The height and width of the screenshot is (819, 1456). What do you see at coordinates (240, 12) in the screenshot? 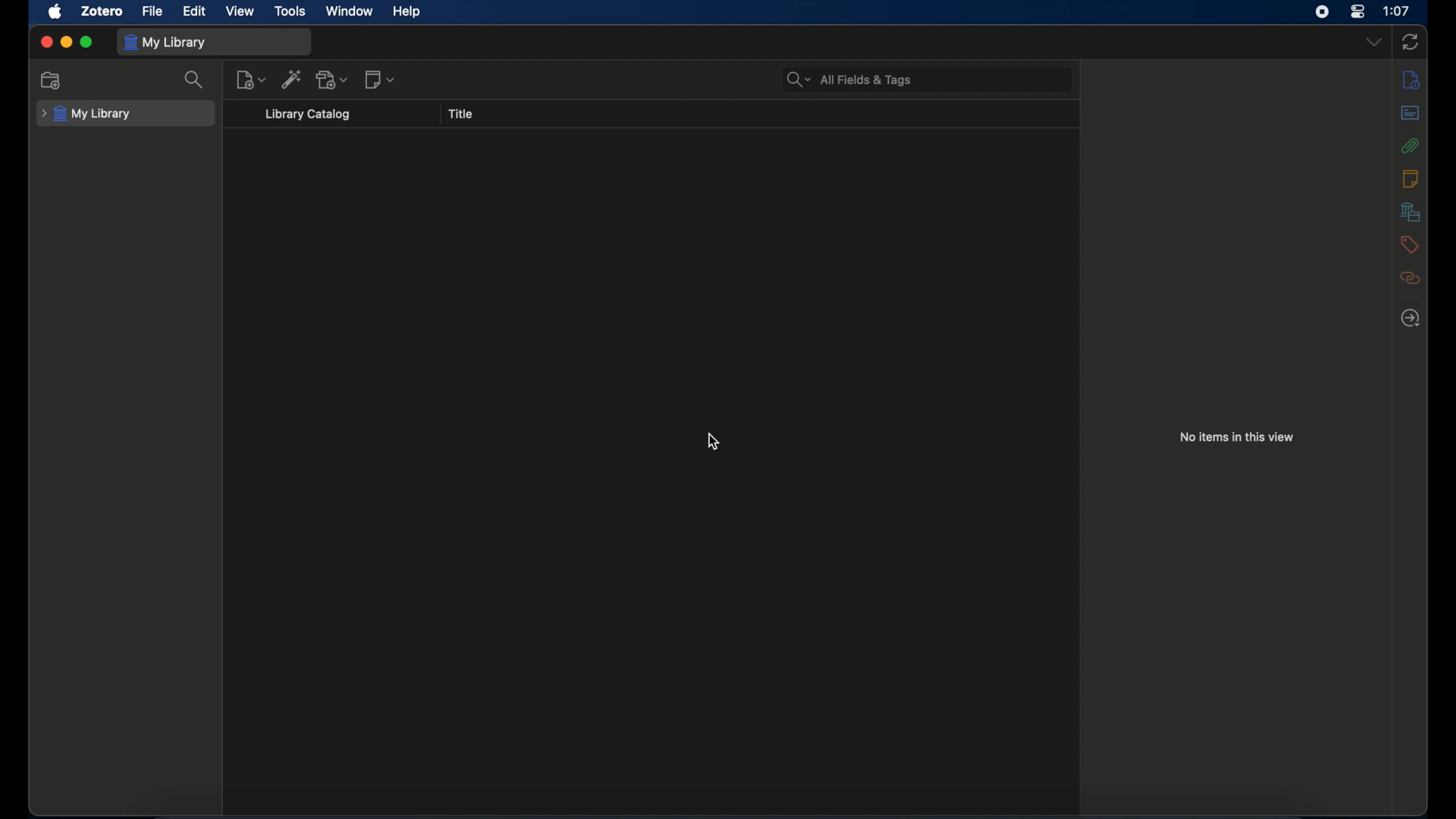
I see `view` at bounding box center [240, 12].